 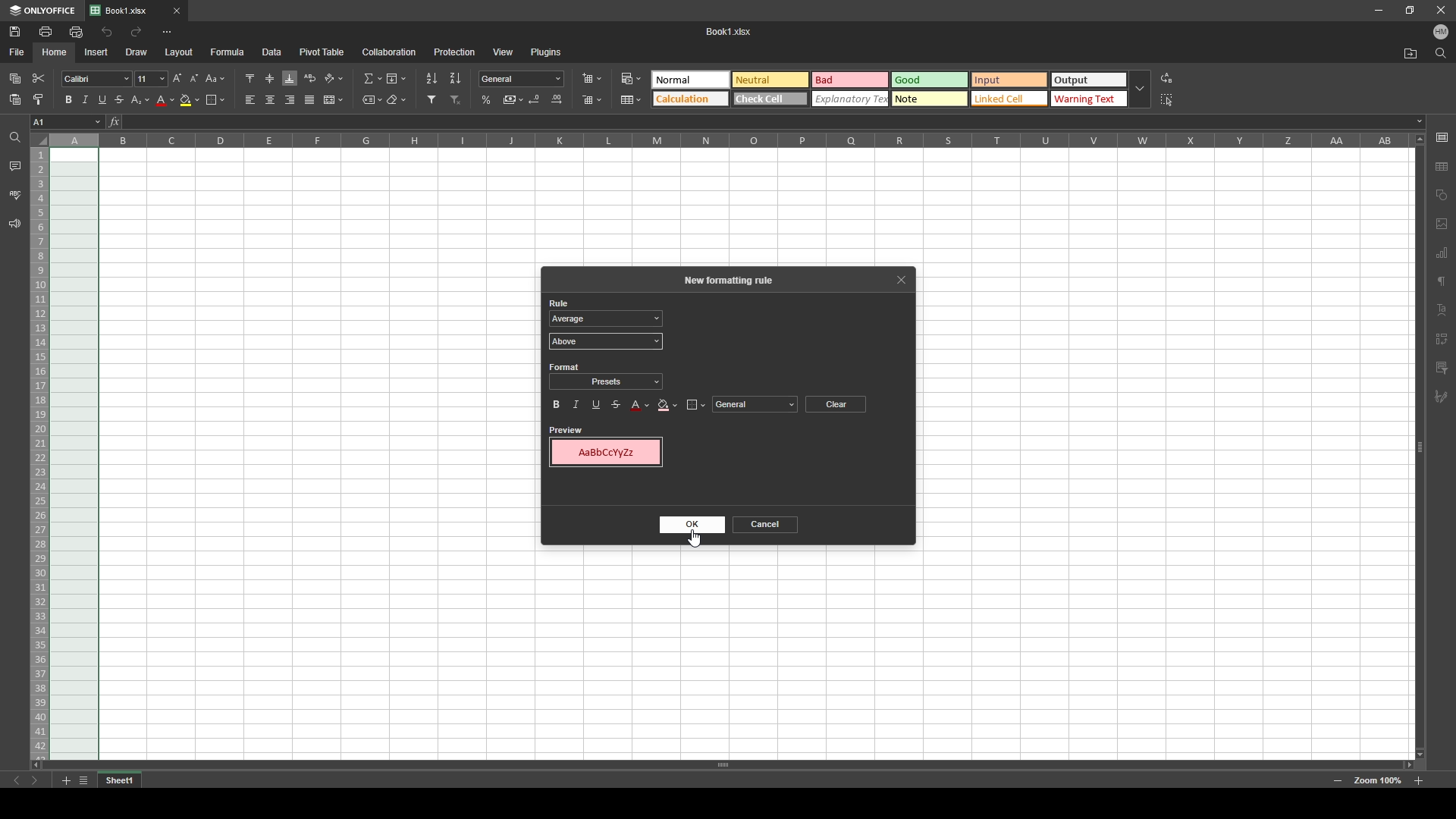 What do you see at coordinates (486, 99) in the screenshot?
I see `percentage style` at bounding box center [486, 99].